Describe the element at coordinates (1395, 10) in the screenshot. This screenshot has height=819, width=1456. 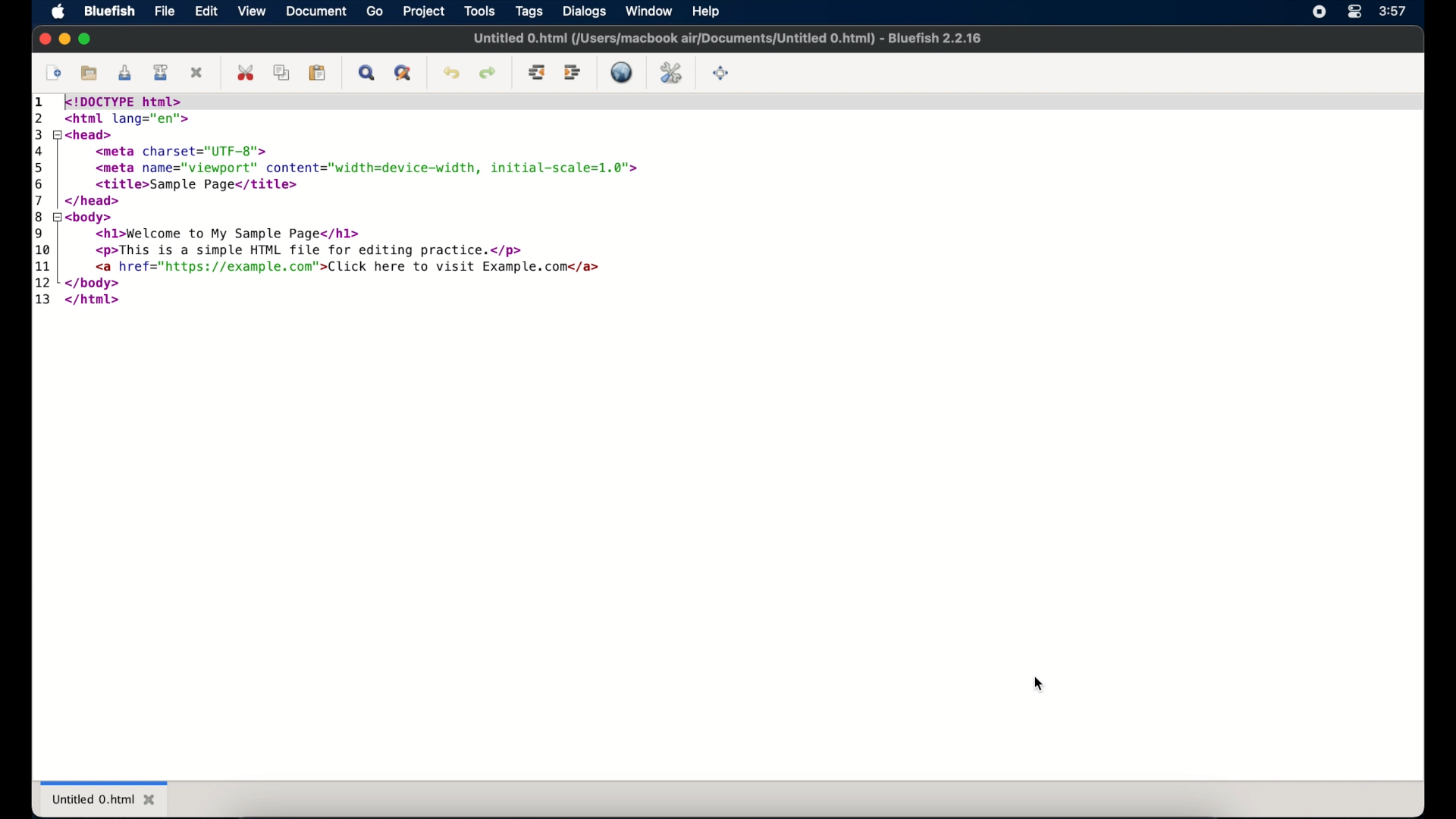
I see `time` at that location.